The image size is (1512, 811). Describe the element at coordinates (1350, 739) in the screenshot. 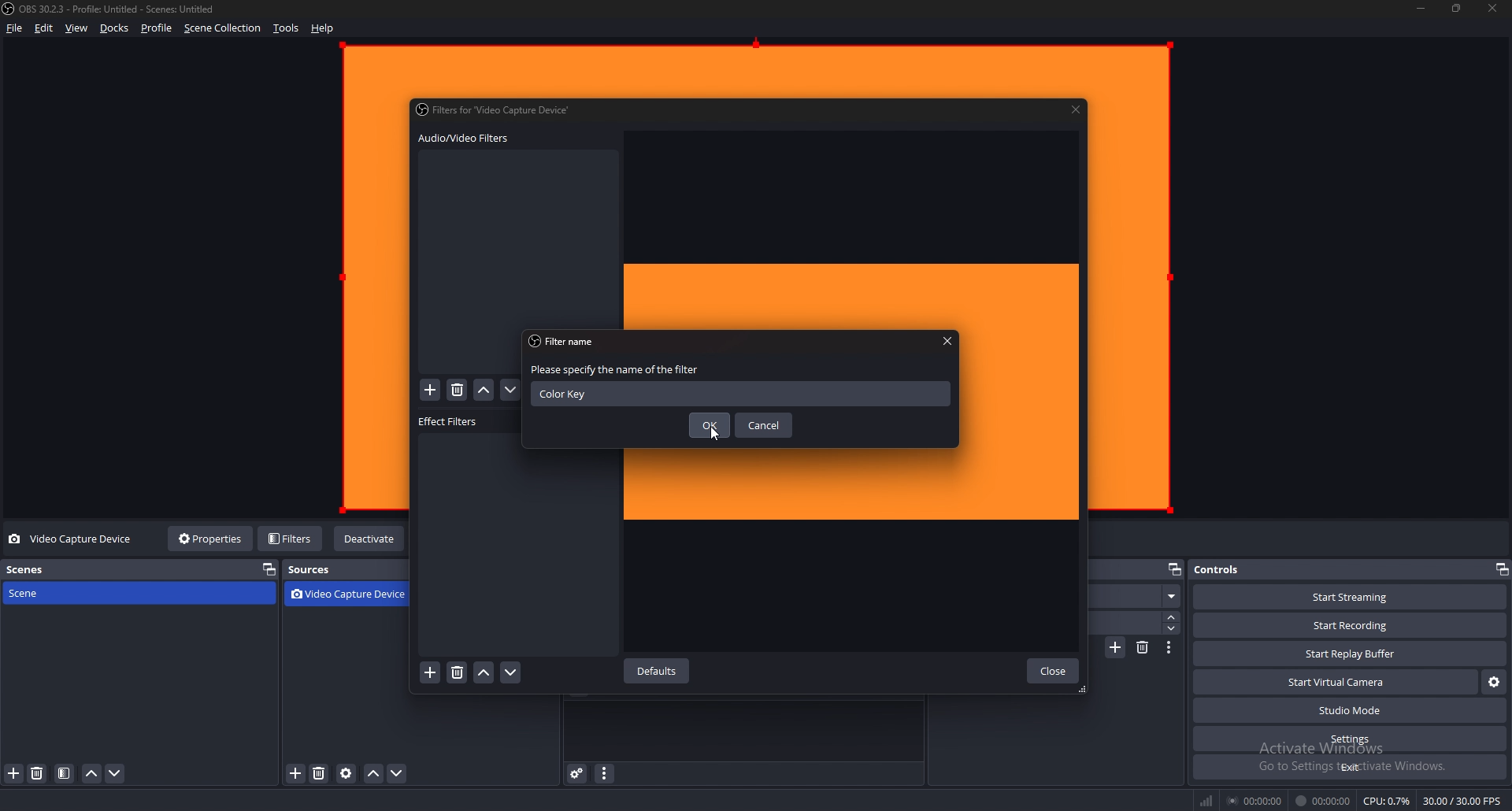

I see `settings` at that location.